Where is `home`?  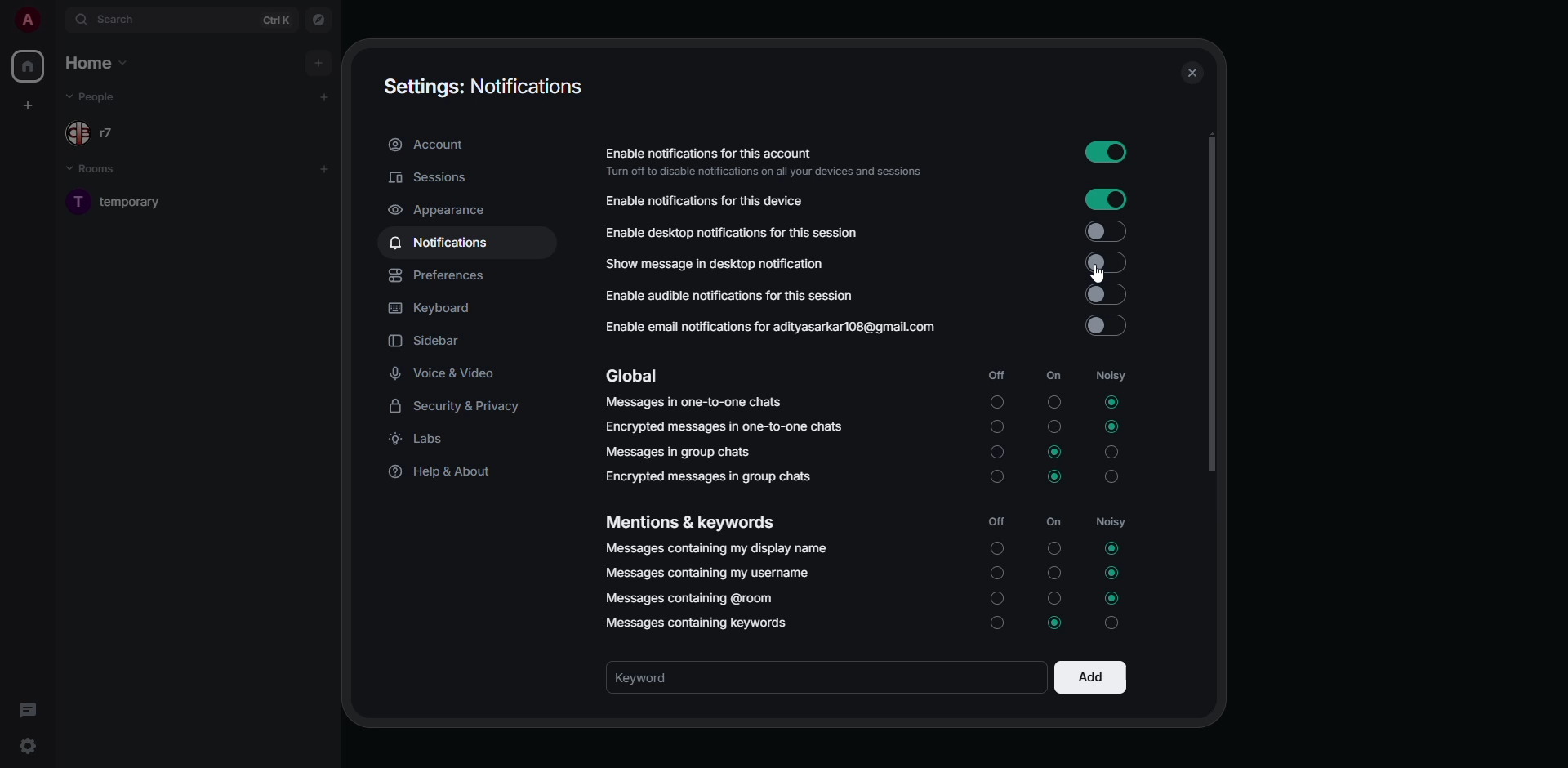 home is located at coordinates (31, 67).